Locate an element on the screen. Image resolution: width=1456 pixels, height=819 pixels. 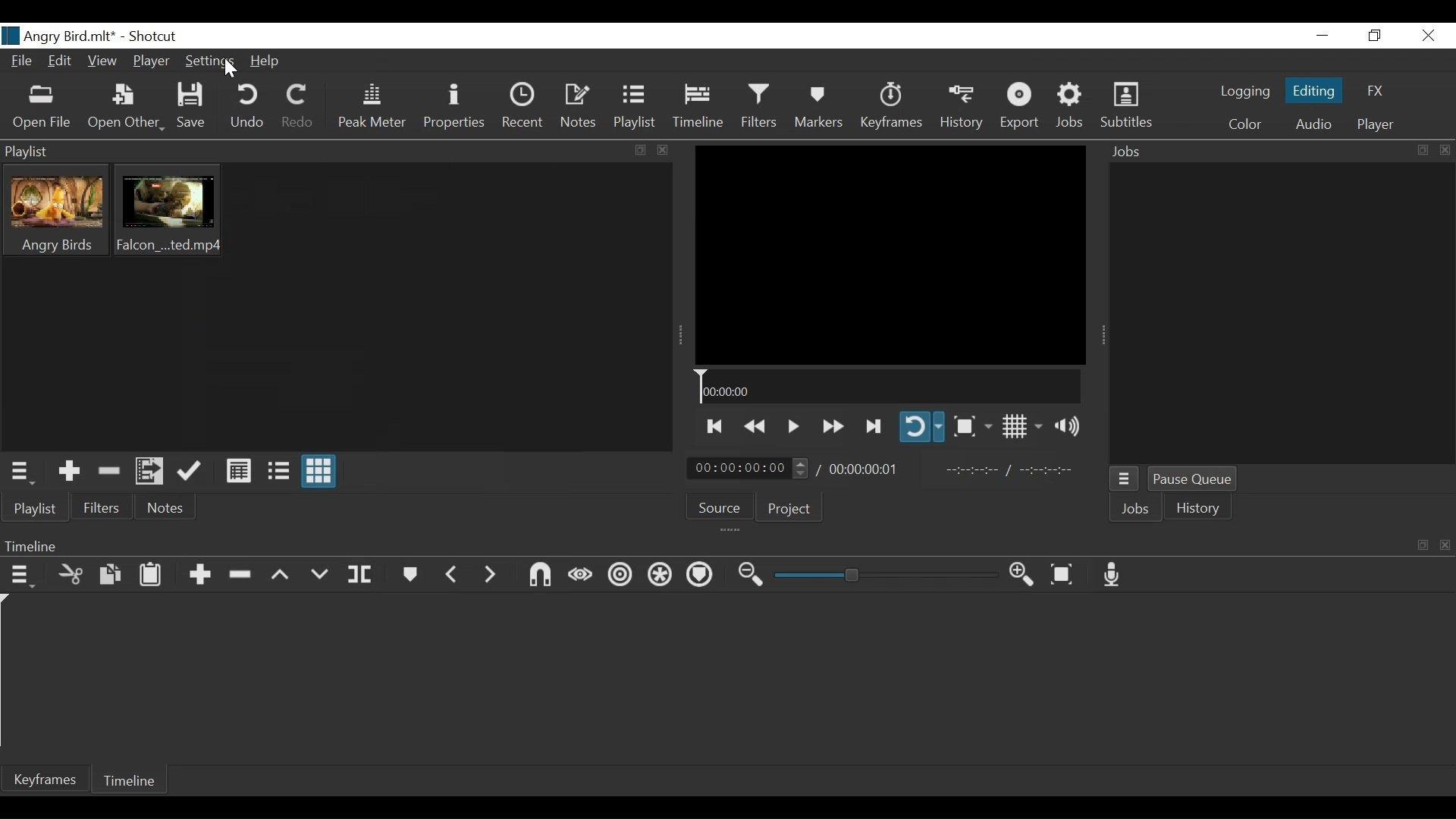
Play forward quickly is located at coordinates (833, 427).